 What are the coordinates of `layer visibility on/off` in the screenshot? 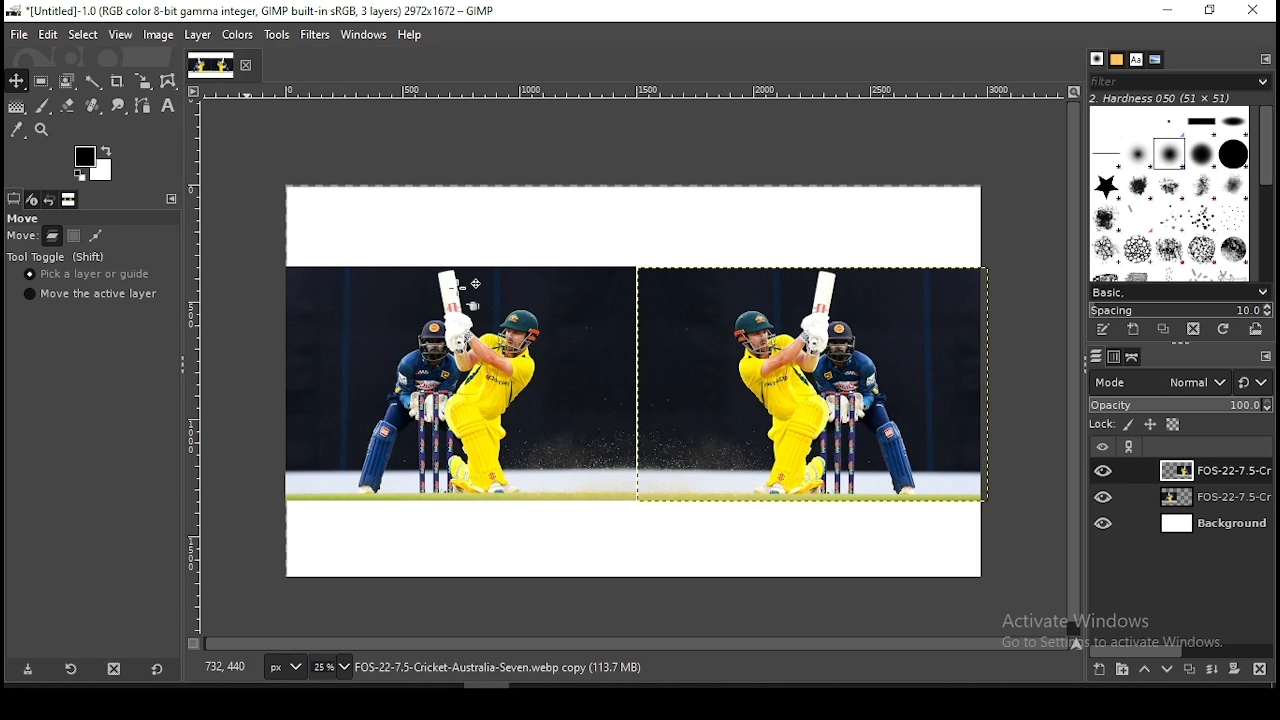 It's located at (1105, 497).